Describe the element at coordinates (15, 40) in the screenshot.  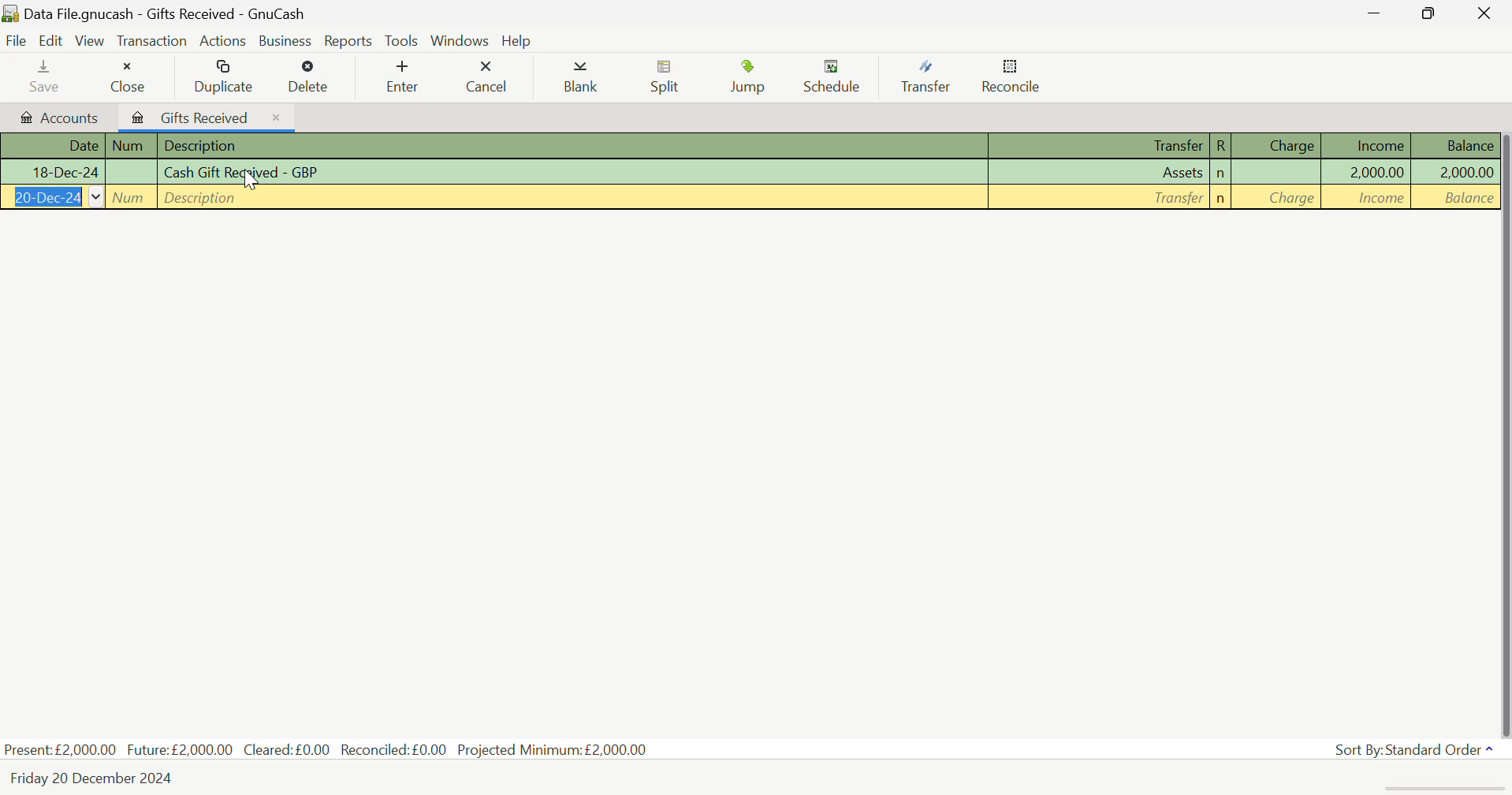
I see `File` at that location.